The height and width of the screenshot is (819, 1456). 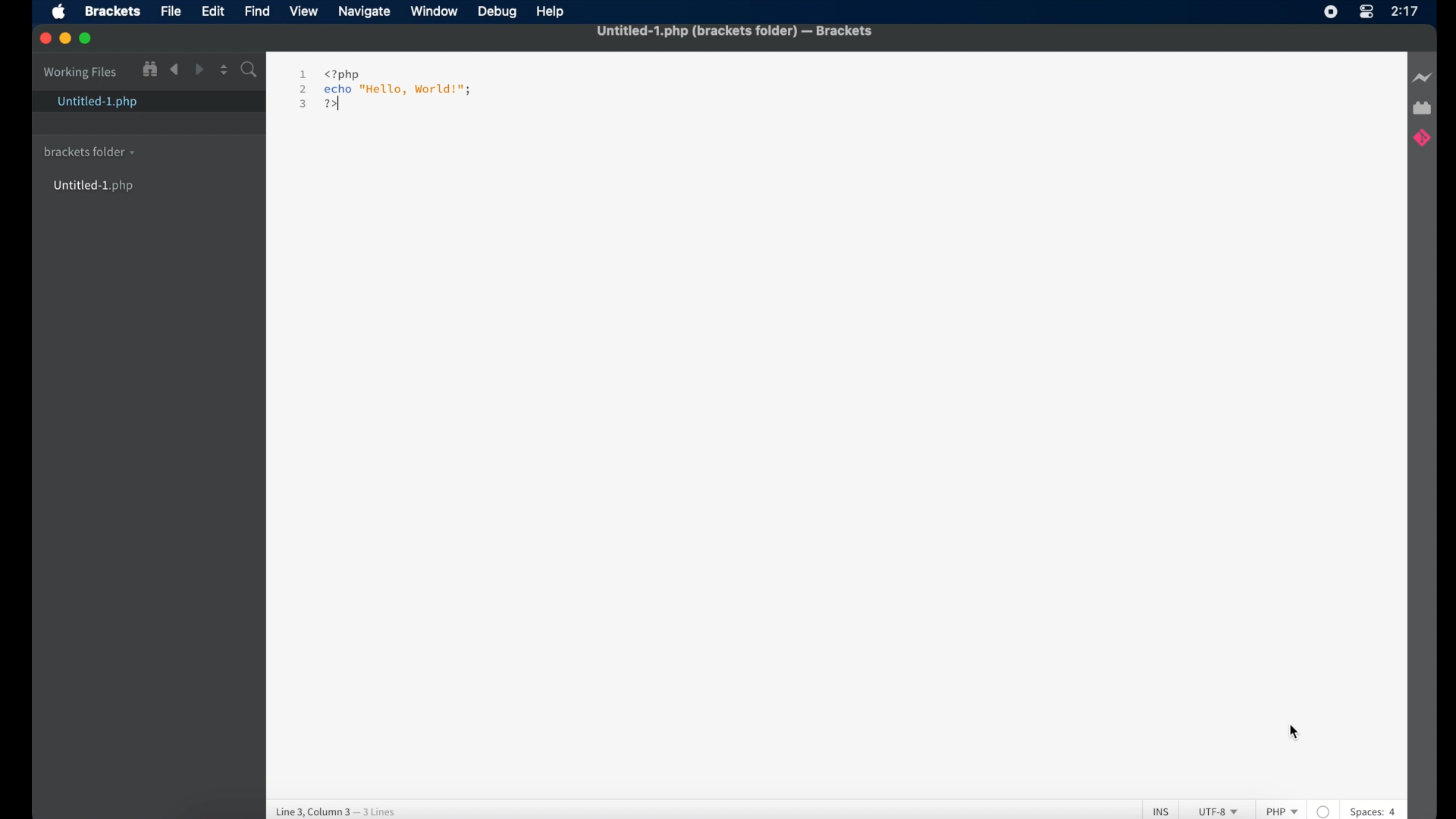 What do you see at coordinates (1405, 11) in the screenshot?
I see `time` at bounding box center [1405, 11].